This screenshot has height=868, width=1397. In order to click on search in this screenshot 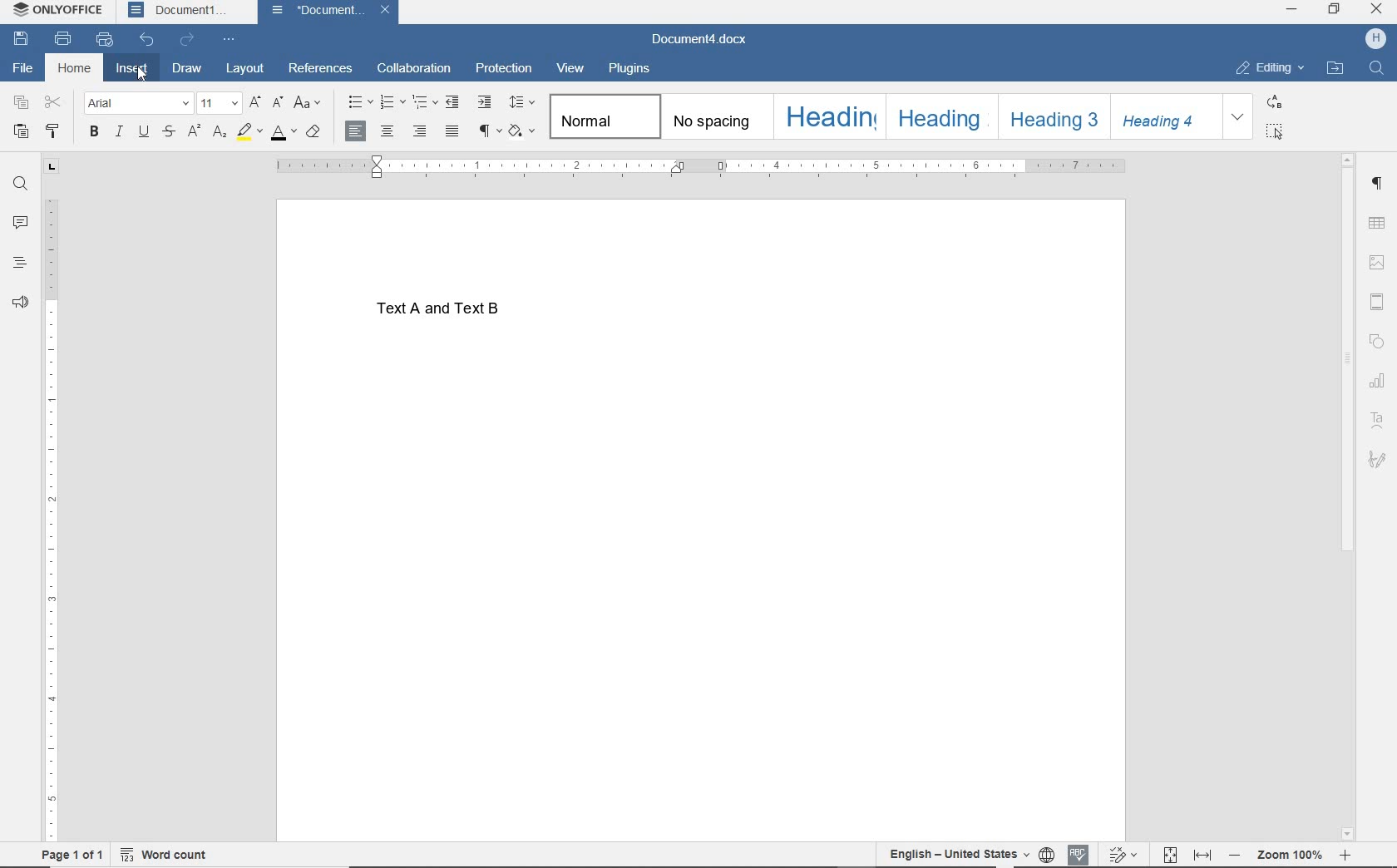, I will do `click(1374, 70)`.